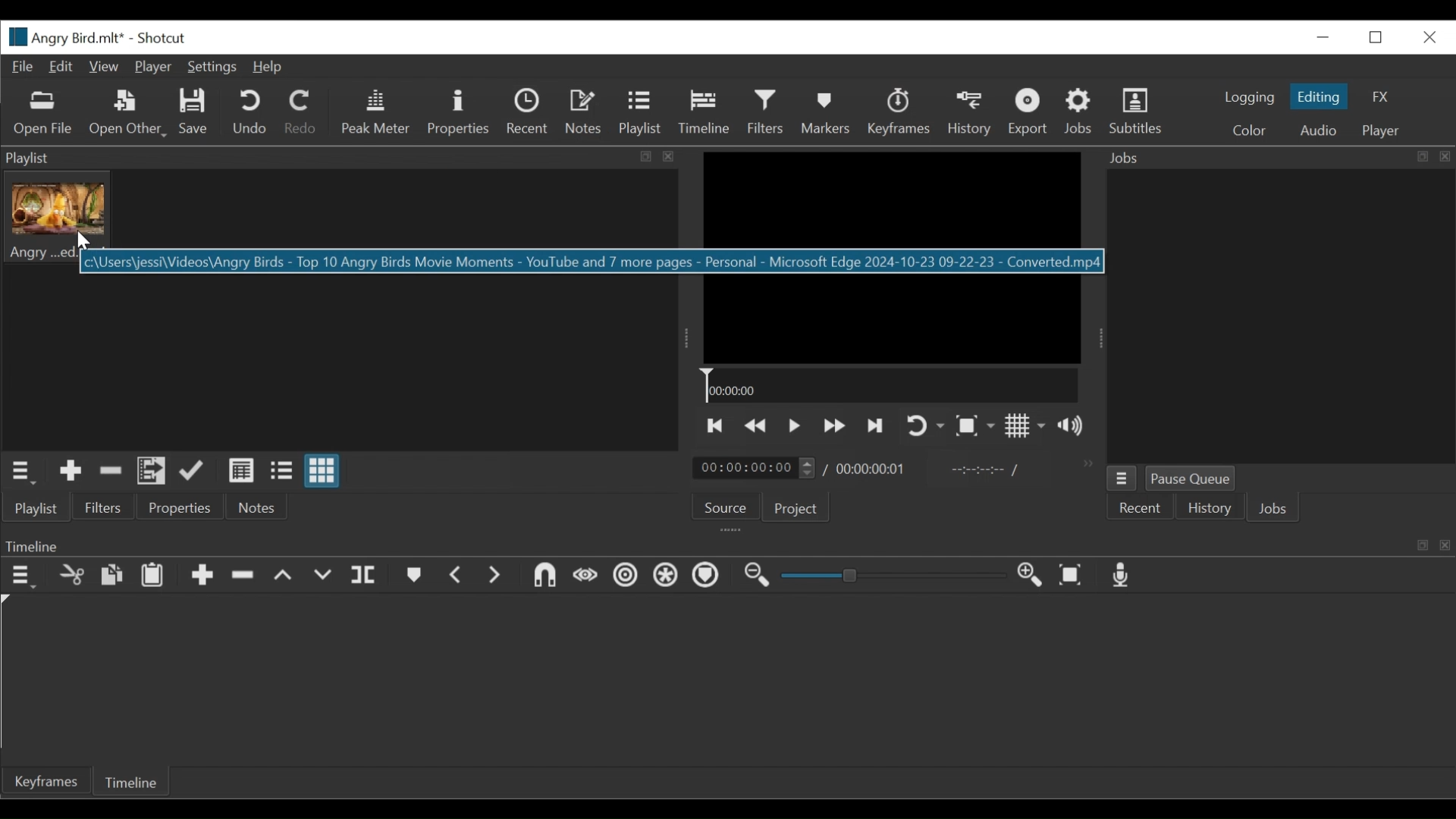 The image size is (1456, 819). What do you see at coordinates (1075, 427) in the screenshot?
I see `Show volume control` at bounding box center [1075, 427].